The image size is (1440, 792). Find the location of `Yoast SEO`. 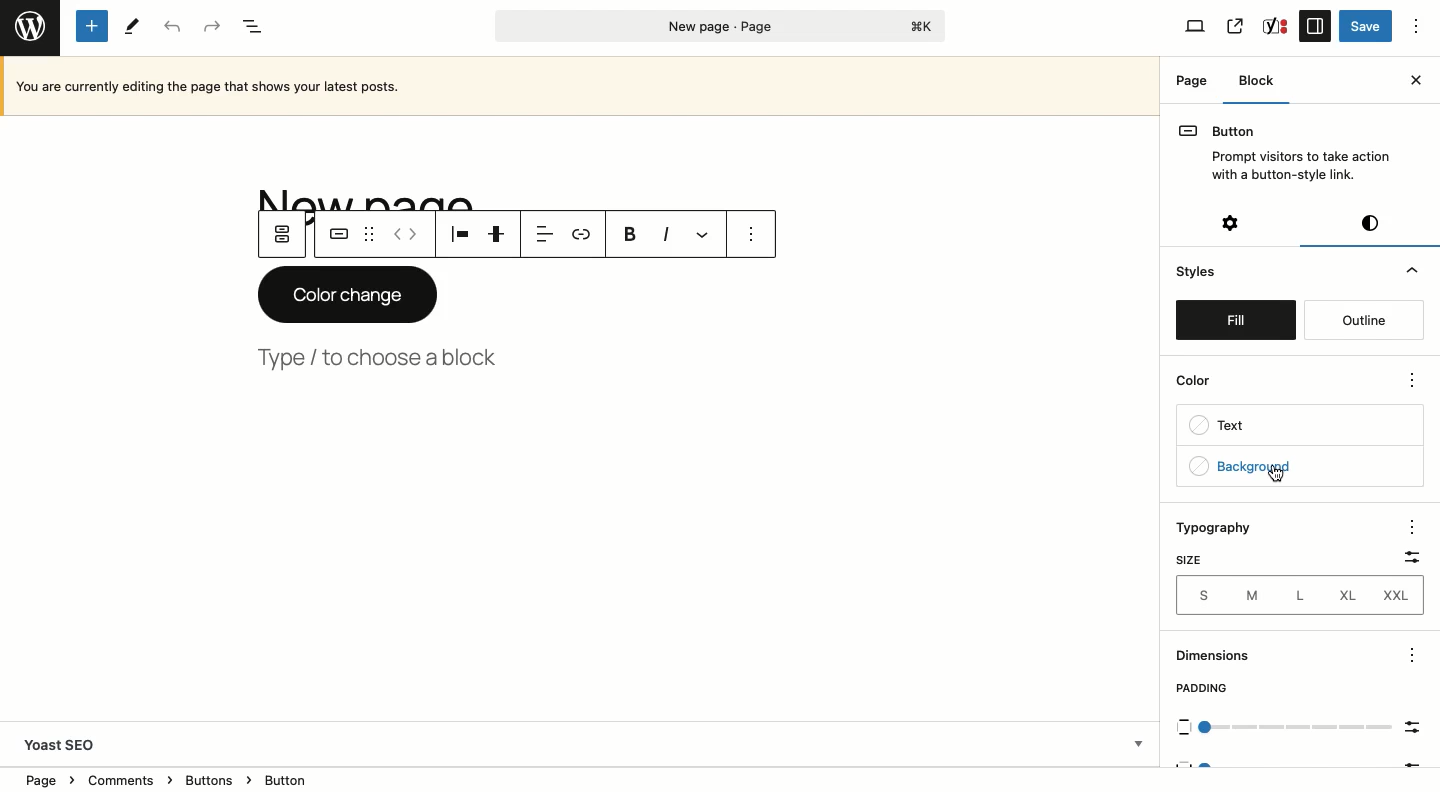

Yoast SEO is located at coordinates (581, 741).